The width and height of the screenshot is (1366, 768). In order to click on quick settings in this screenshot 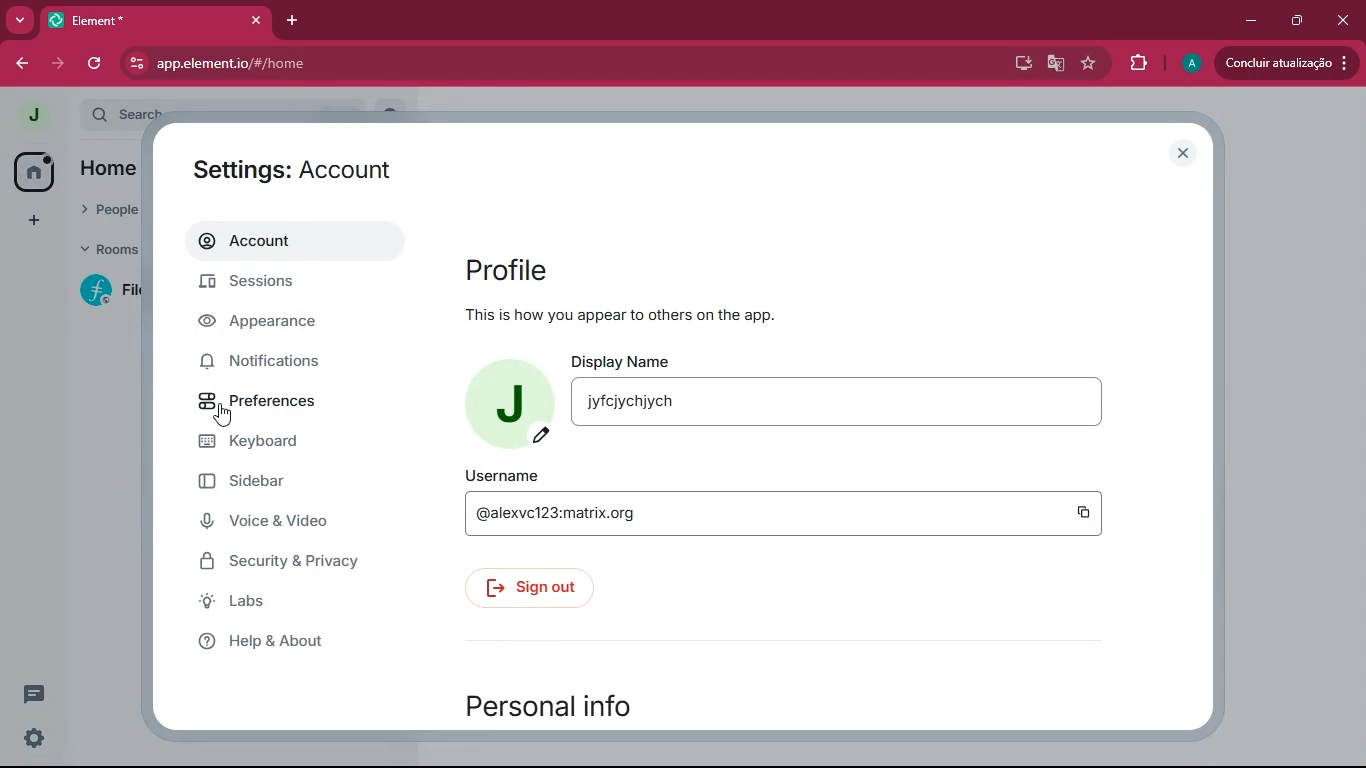, I will do `click(34, 737)`.